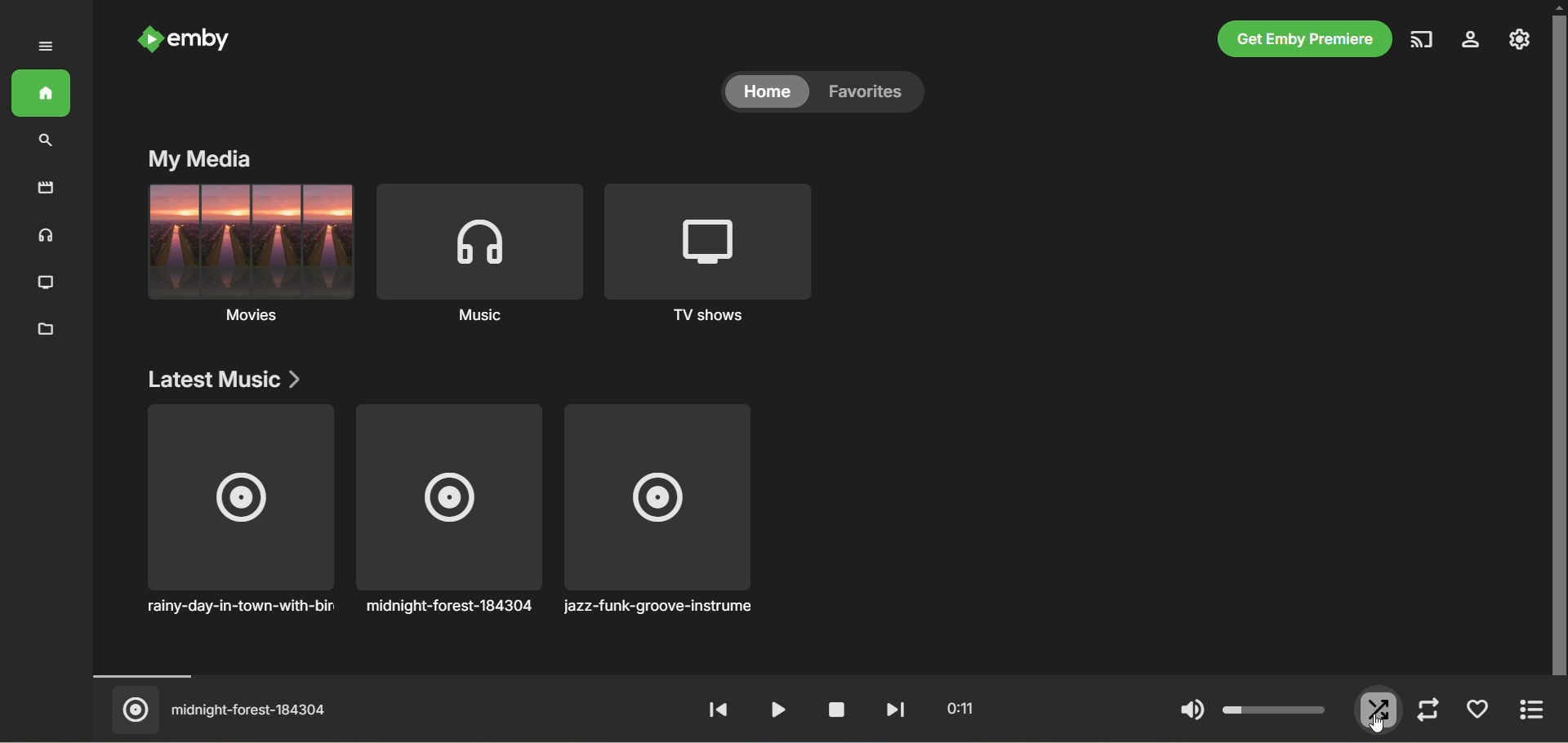  I want to click on jazz-funk-groove-instrument, so click(658, 512).